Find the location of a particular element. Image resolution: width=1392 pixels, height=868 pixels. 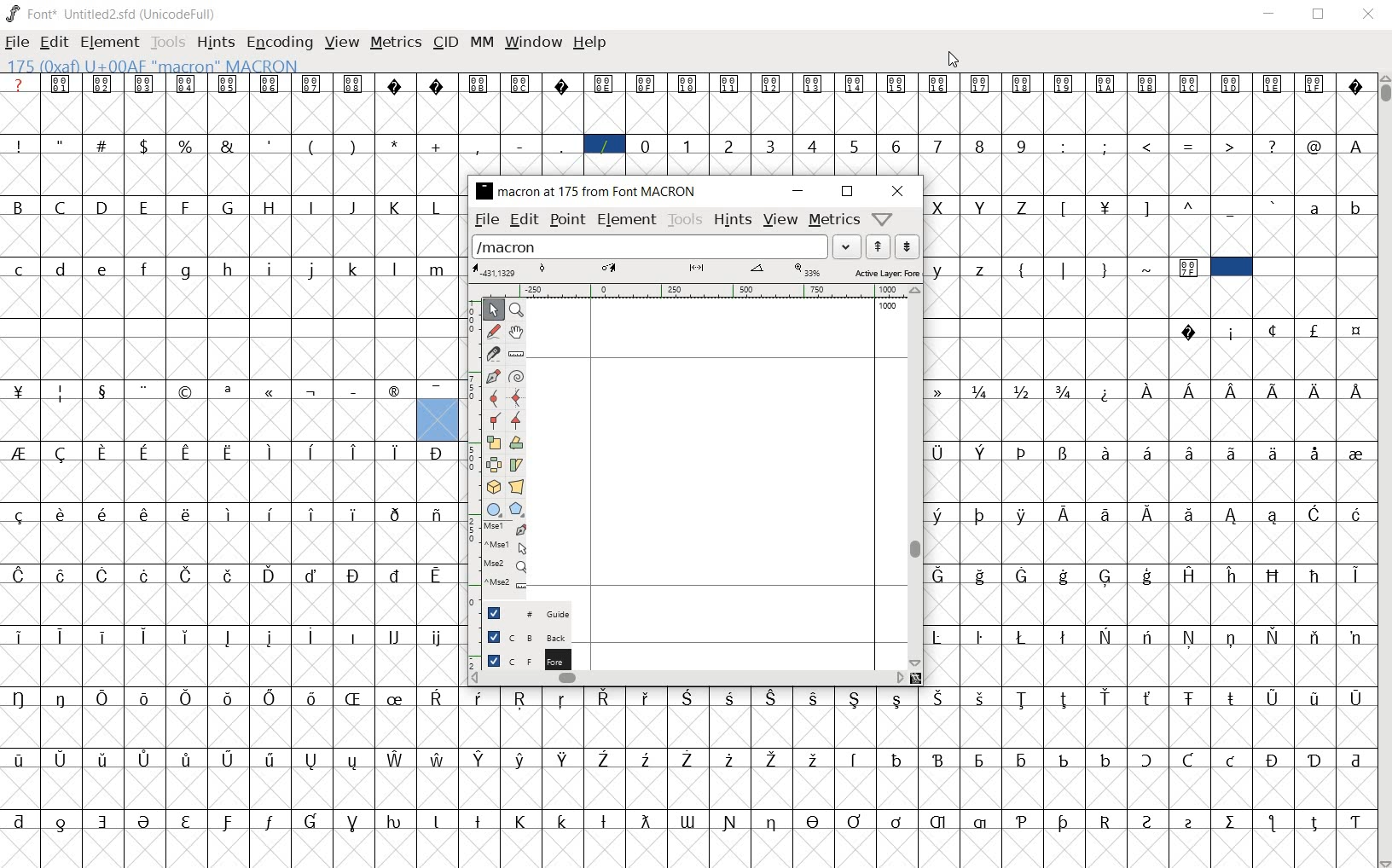

Symbol is located at coordinates (189, 575).